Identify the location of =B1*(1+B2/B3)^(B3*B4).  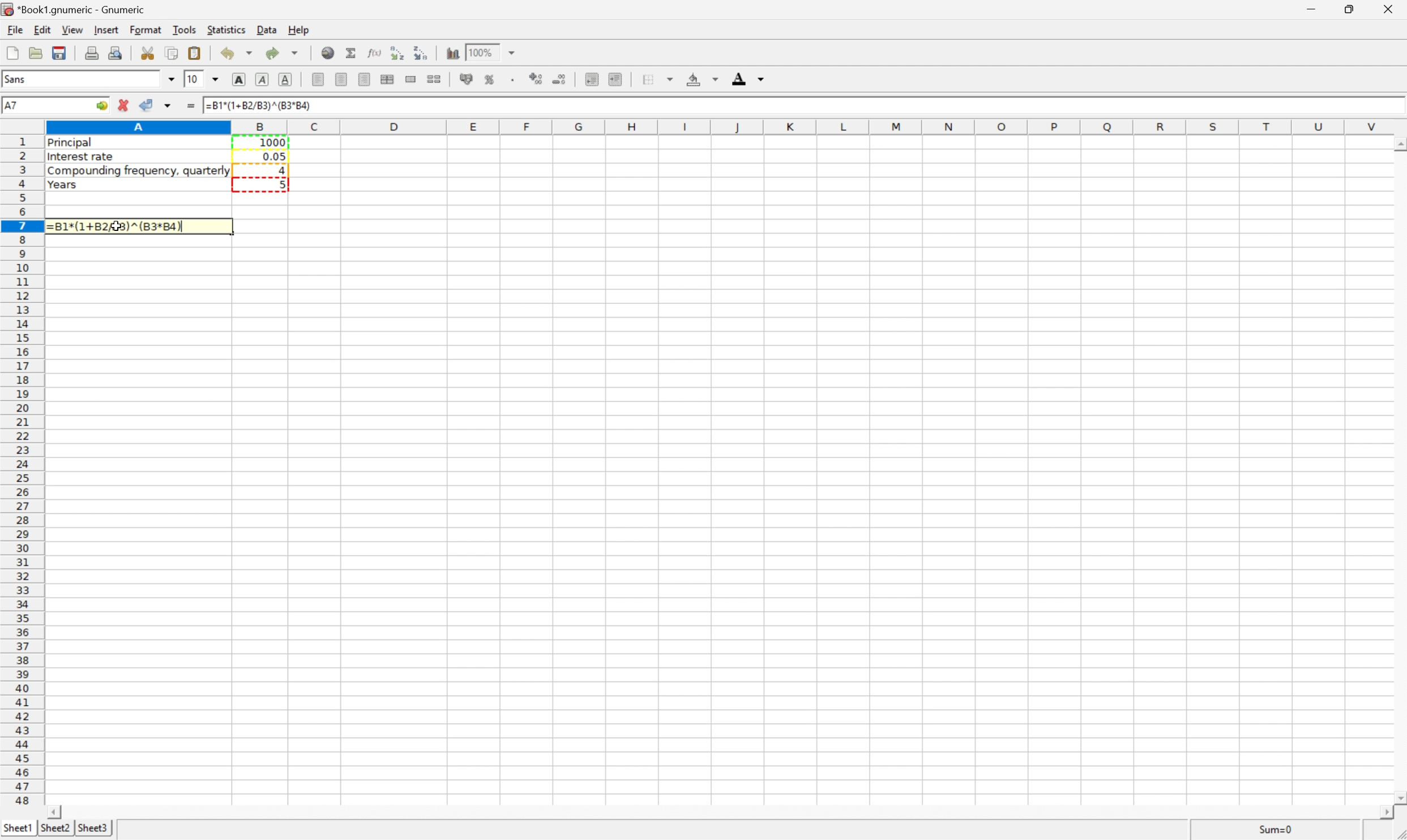
(122, 226).